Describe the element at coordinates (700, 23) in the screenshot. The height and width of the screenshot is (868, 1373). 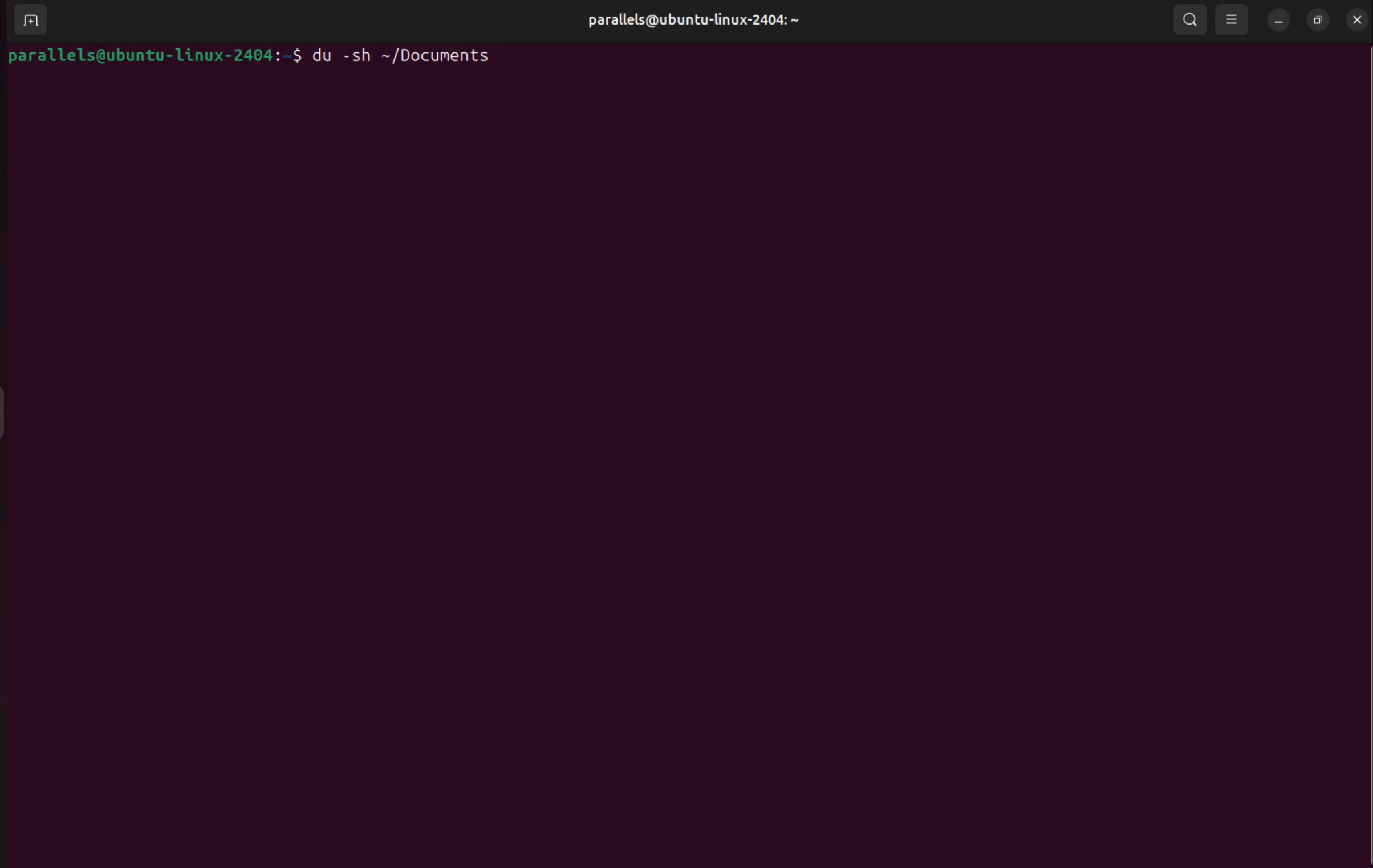
I see `parallels@ubuntu-linux-2404: ~` at that location.